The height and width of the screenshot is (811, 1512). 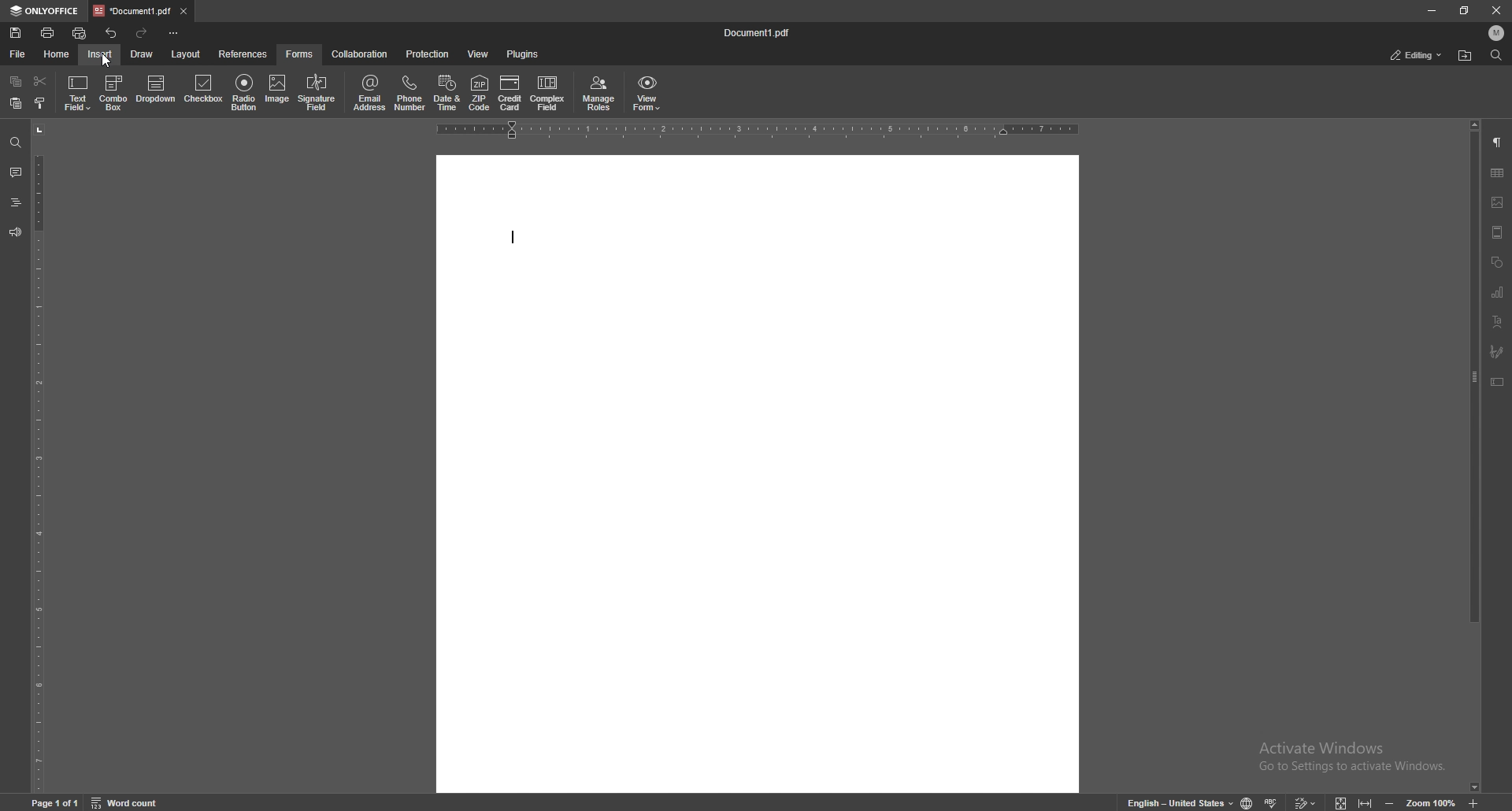 I want to click on profile, so click(x=1497, y=33).